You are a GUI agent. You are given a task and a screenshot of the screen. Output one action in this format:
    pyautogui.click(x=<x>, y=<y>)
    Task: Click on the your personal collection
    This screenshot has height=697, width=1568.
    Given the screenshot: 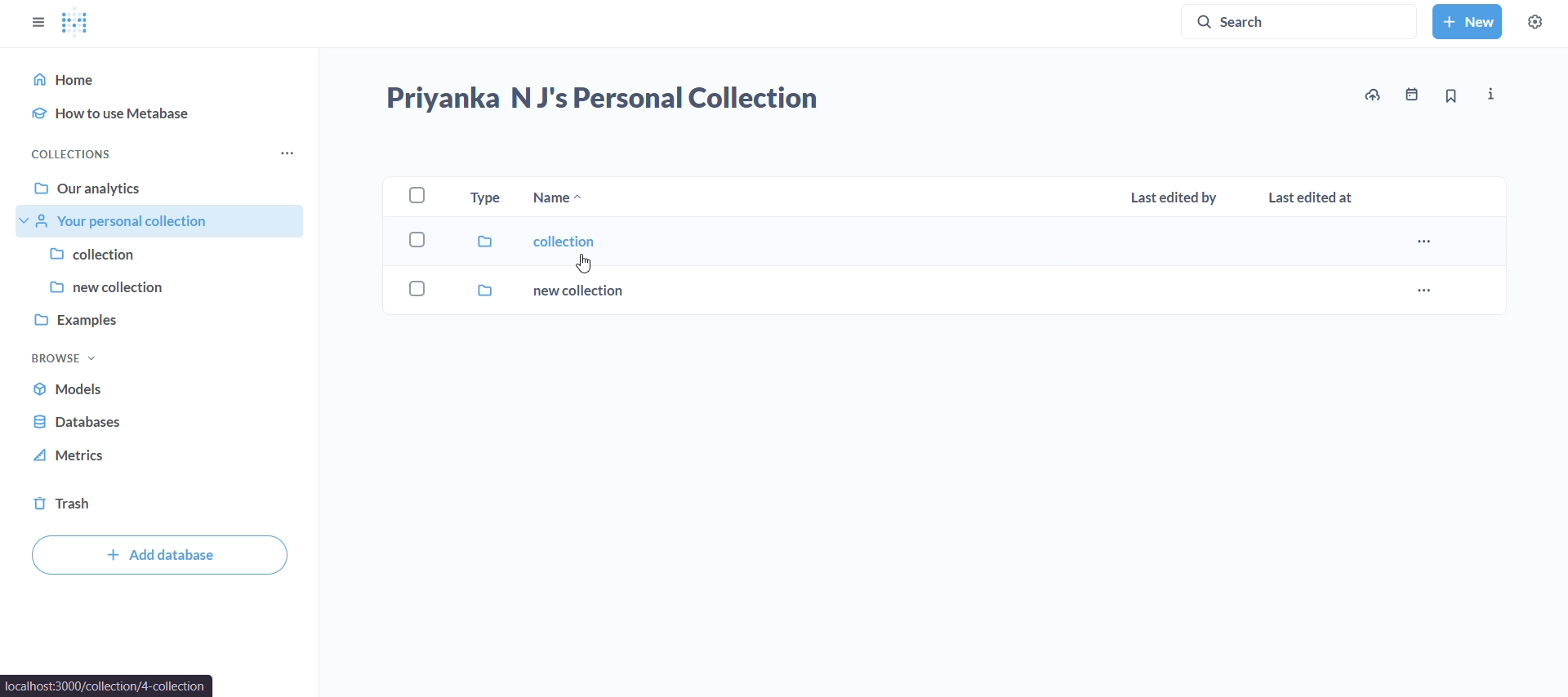 What is the action you would take?
    pyautogui.click(x=154, y=223)
    